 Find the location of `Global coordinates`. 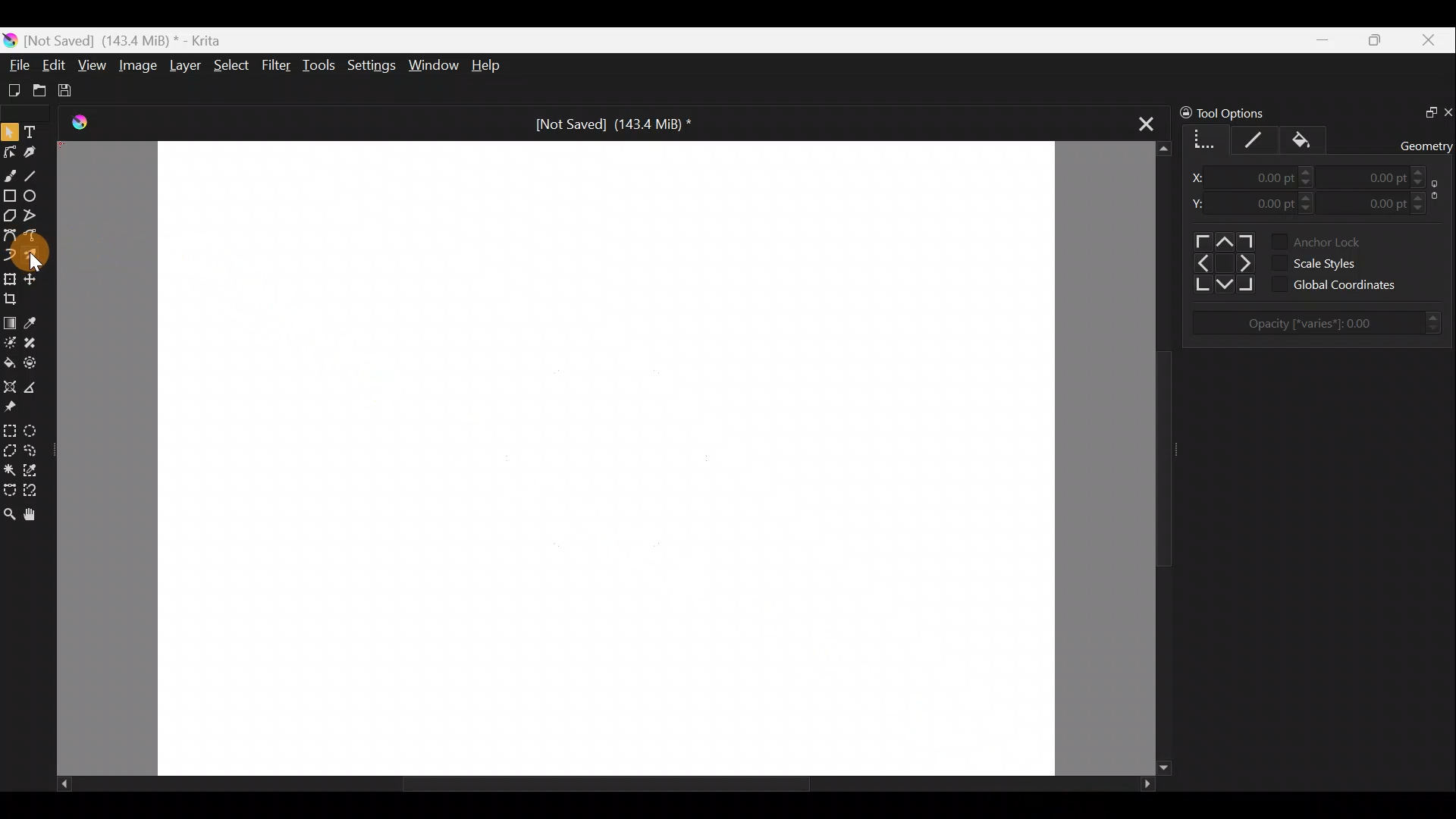

Global coordinates is located at coordinates (1351, 285).